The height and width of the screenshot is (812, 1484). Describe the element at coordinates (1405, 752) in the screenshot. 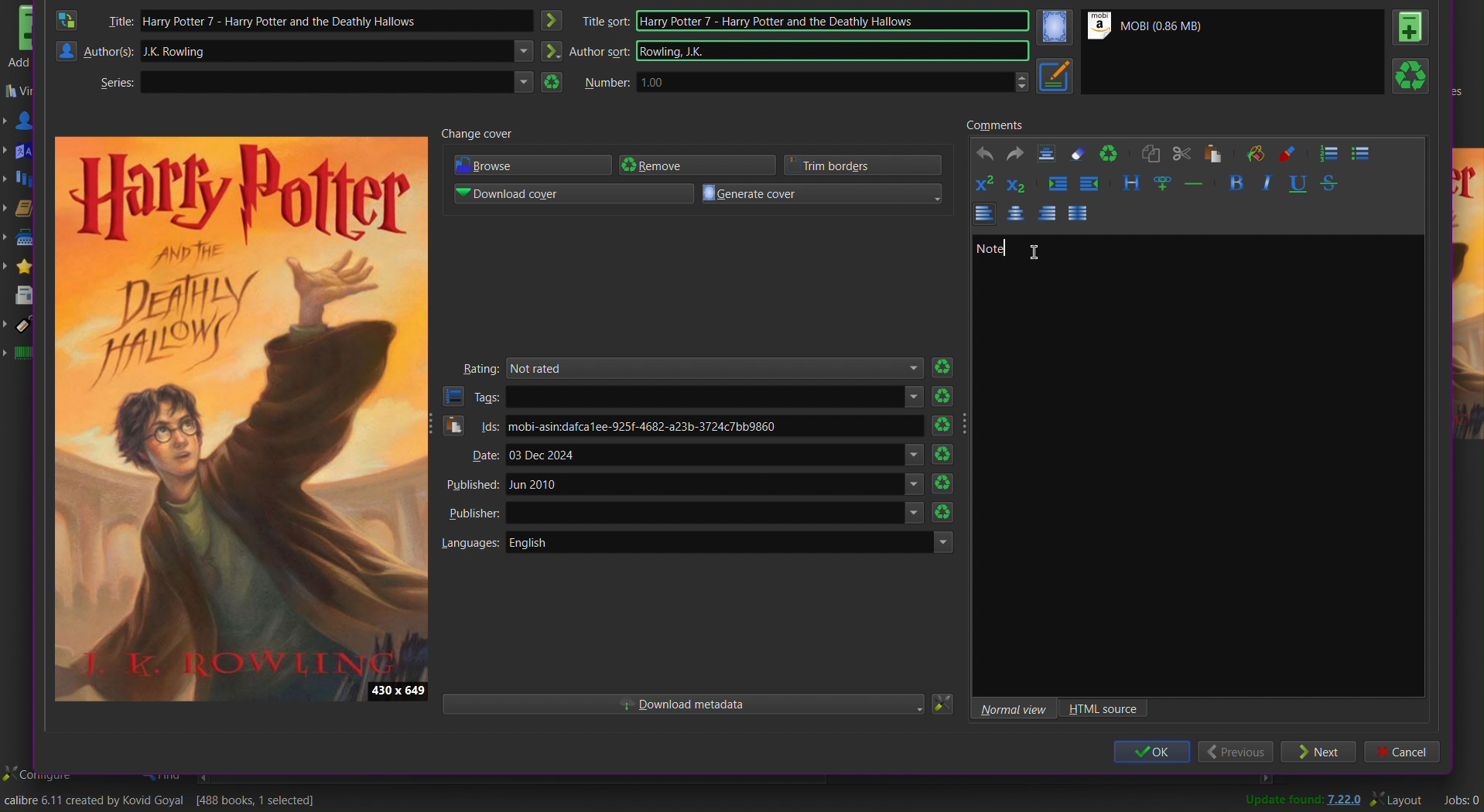

I see `Cancel` at that location.